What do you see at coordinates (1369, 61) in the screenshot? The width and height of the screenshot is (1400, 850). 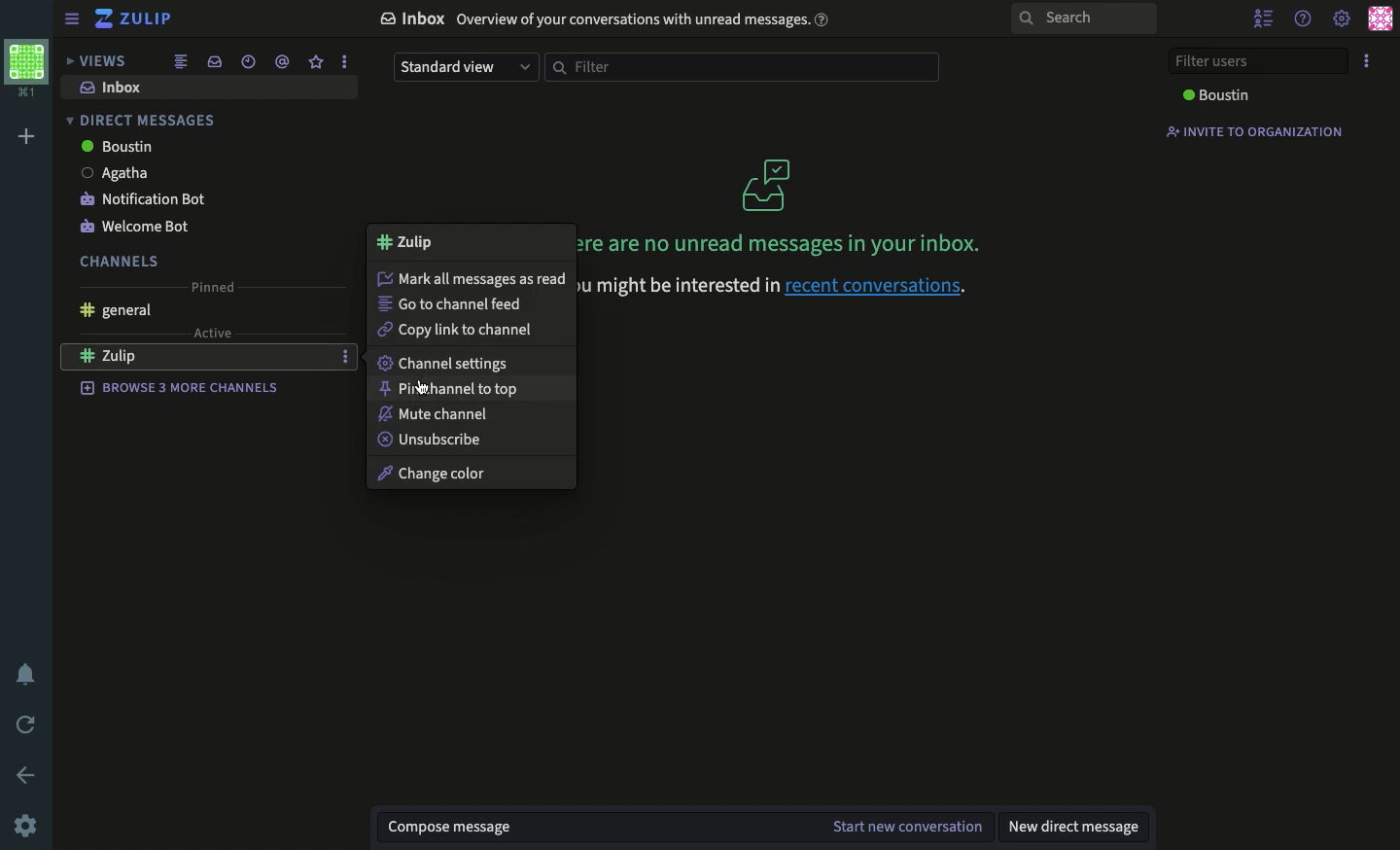 I see `options` at bounding box center [1369, 61].